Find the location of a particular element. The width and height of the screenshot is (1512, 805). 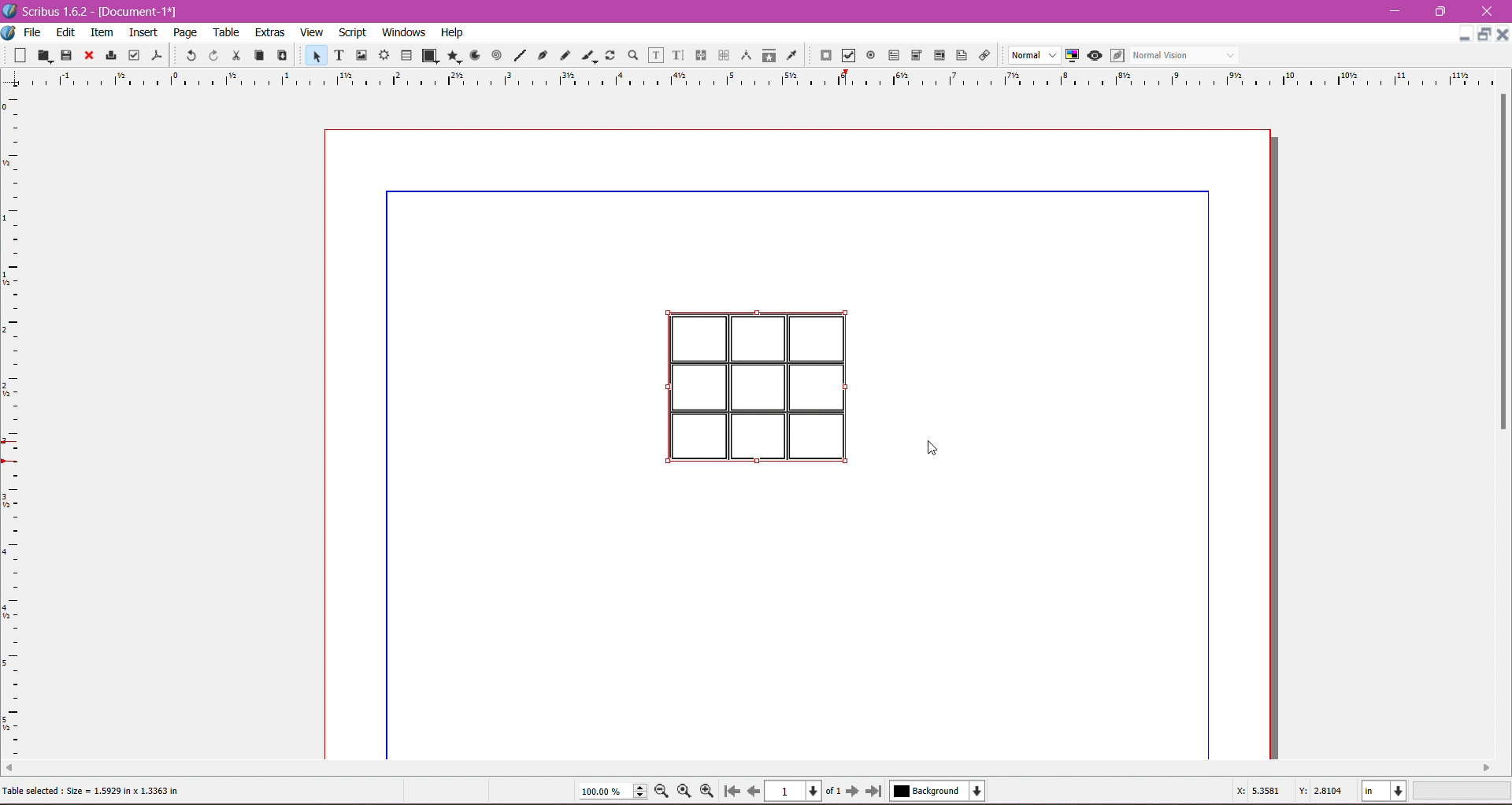

Rotate Them is located at coordinates (609, 54).